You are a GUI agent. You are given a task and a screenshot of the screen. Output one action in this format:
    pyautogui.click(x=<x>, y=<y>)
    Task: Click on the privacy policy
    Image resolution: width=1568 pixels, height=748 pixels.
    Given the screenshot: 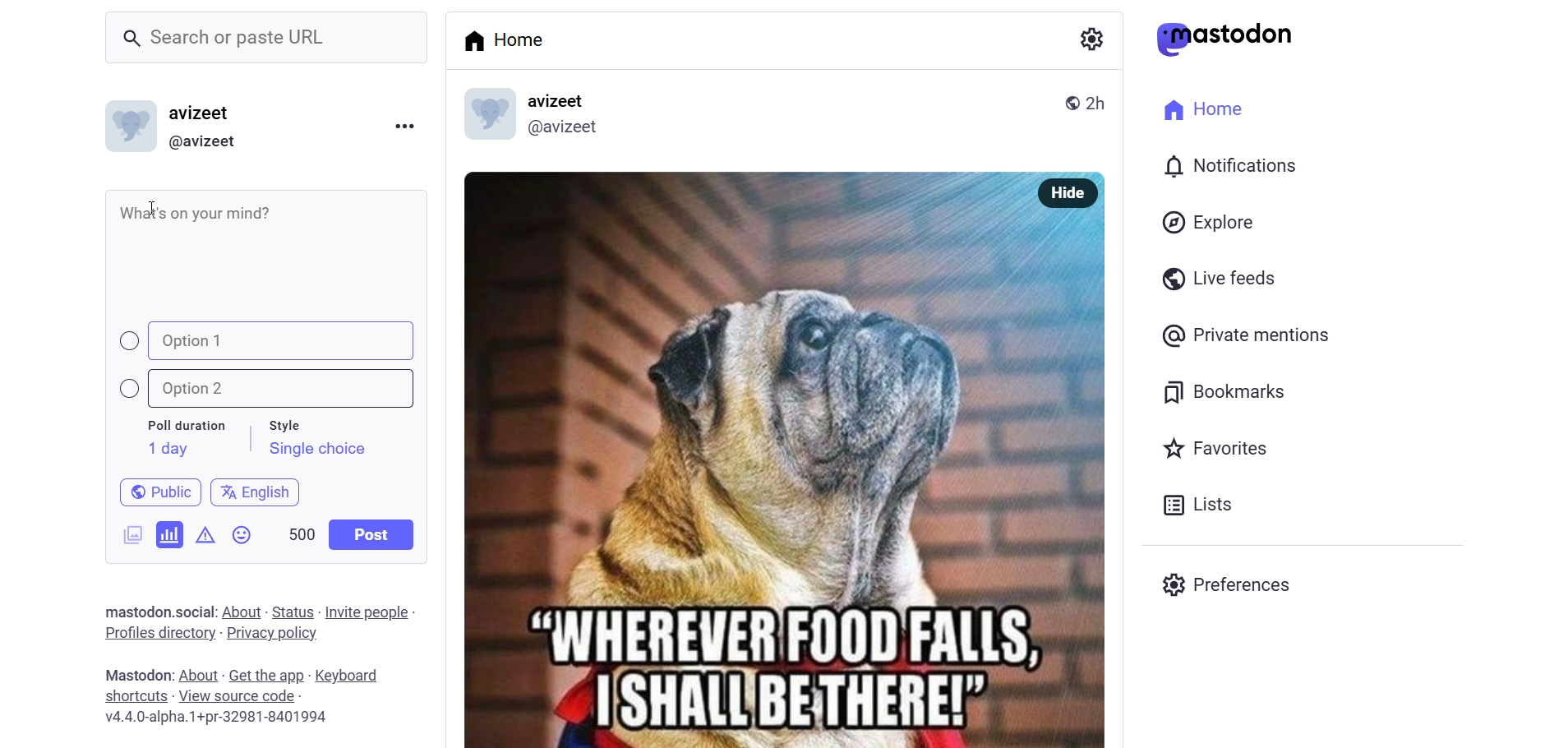 What is the action you would take?
    pyautogui.click(x=272, y=635)
    